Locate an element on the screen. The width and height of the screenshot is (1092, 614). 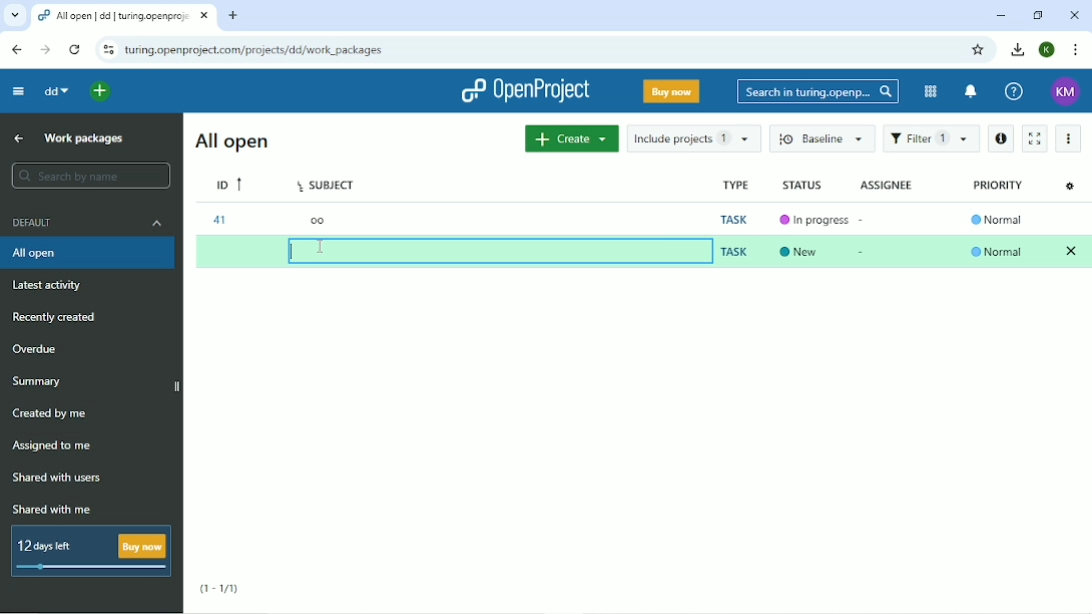
Created by me is located at coordinates (51, 414).